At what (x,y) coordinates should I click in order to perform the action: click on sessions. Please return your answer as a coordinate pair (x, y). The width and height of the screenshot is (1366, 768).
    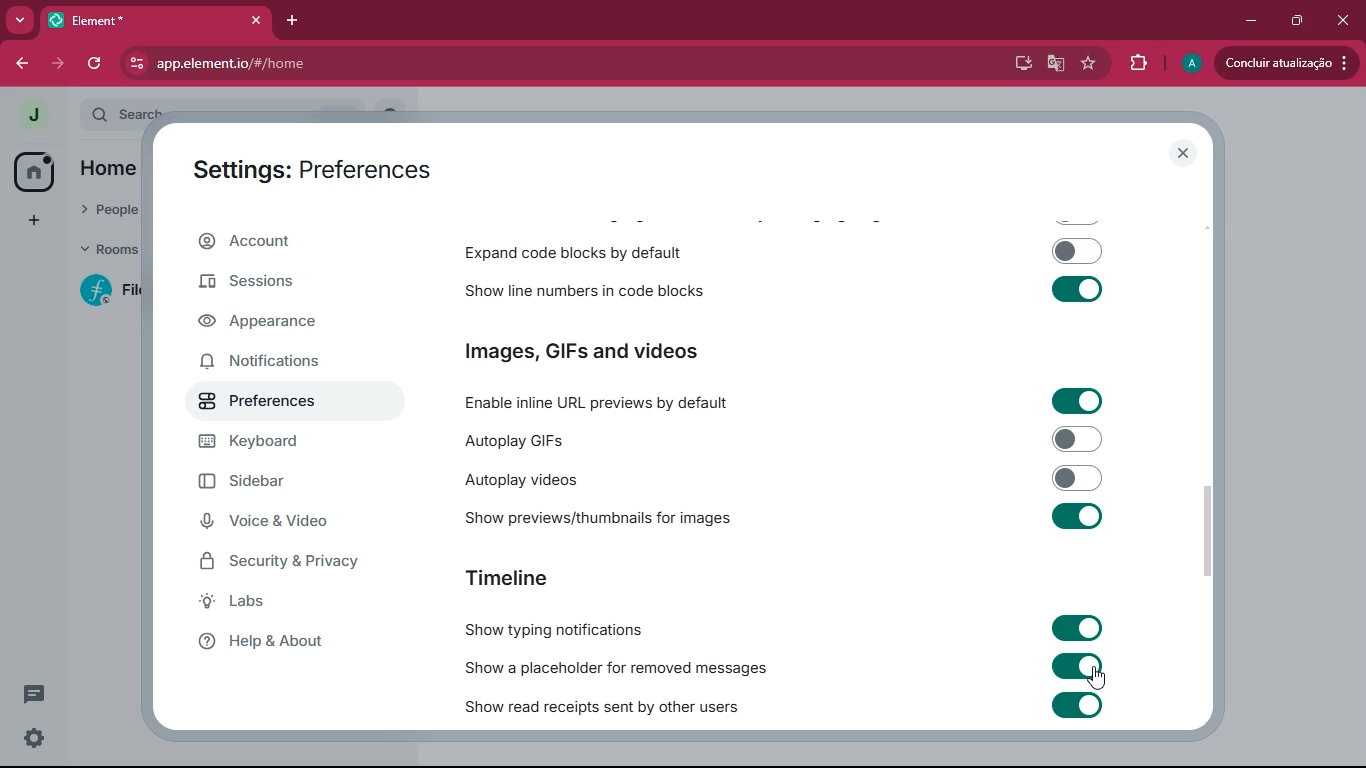
    Looking at the image, I should click on (278, 283).